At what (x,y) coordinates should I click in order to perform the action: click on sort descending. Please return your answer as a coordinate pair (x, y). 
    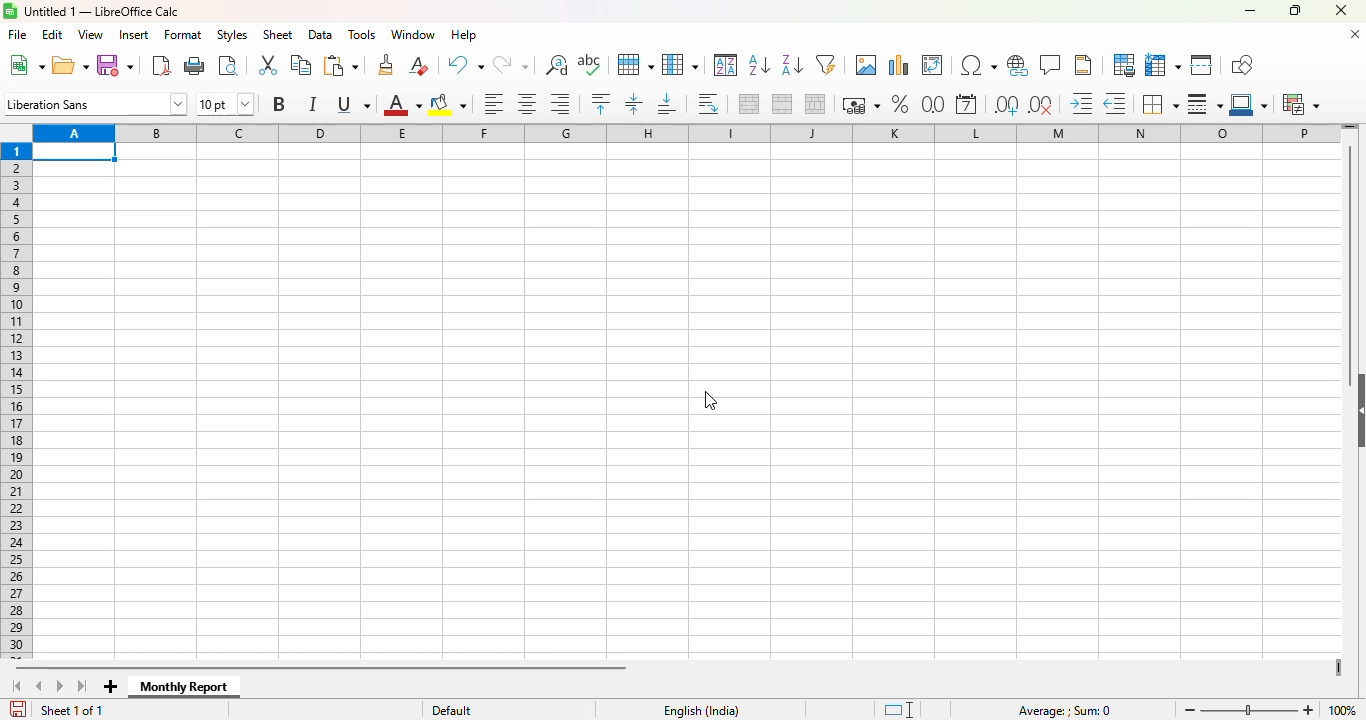
    Looking at the image, I should click on (792, 66).